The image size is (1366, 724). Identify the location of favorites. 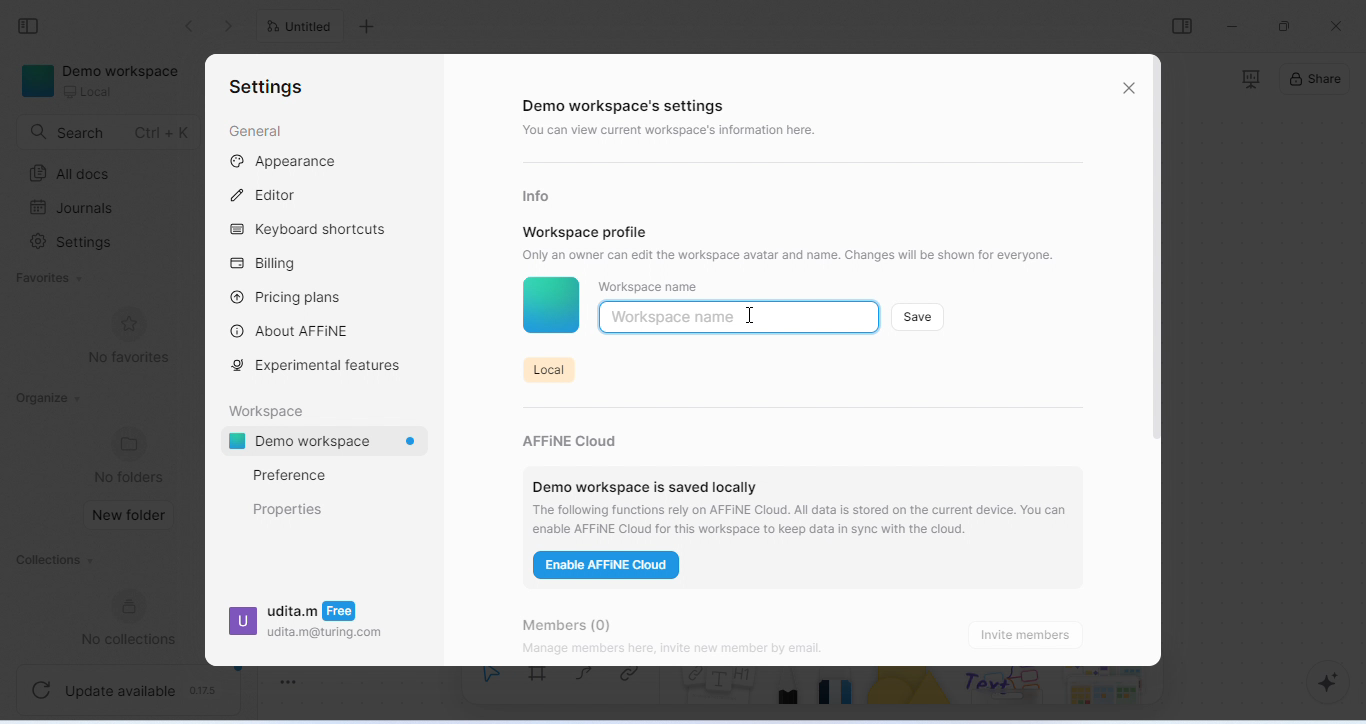
(53, 279).